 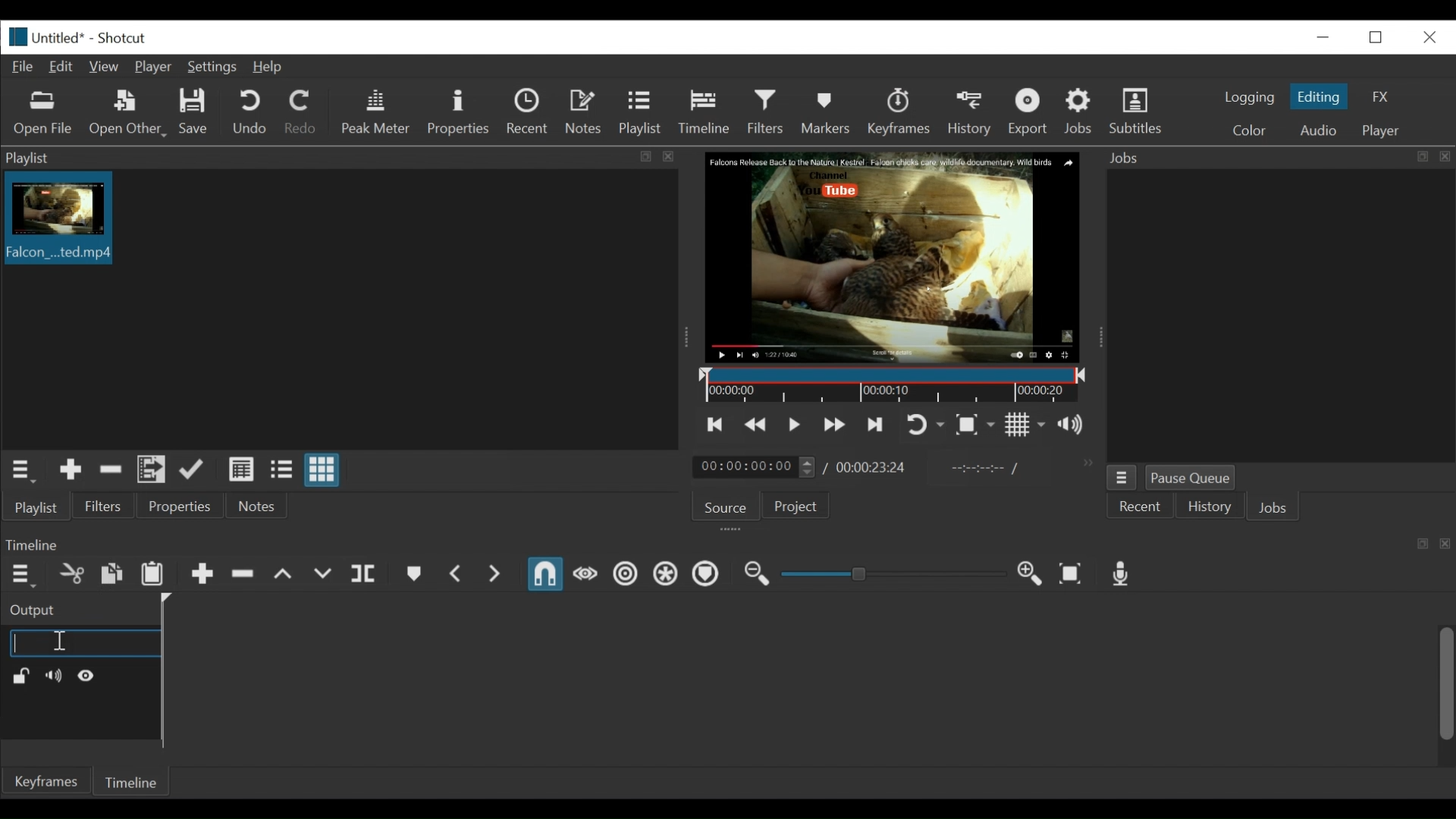 What do you see at coordinates (457, 574) in the screenshot?
I see `Previous Marker` at bounding box center [457, 574].